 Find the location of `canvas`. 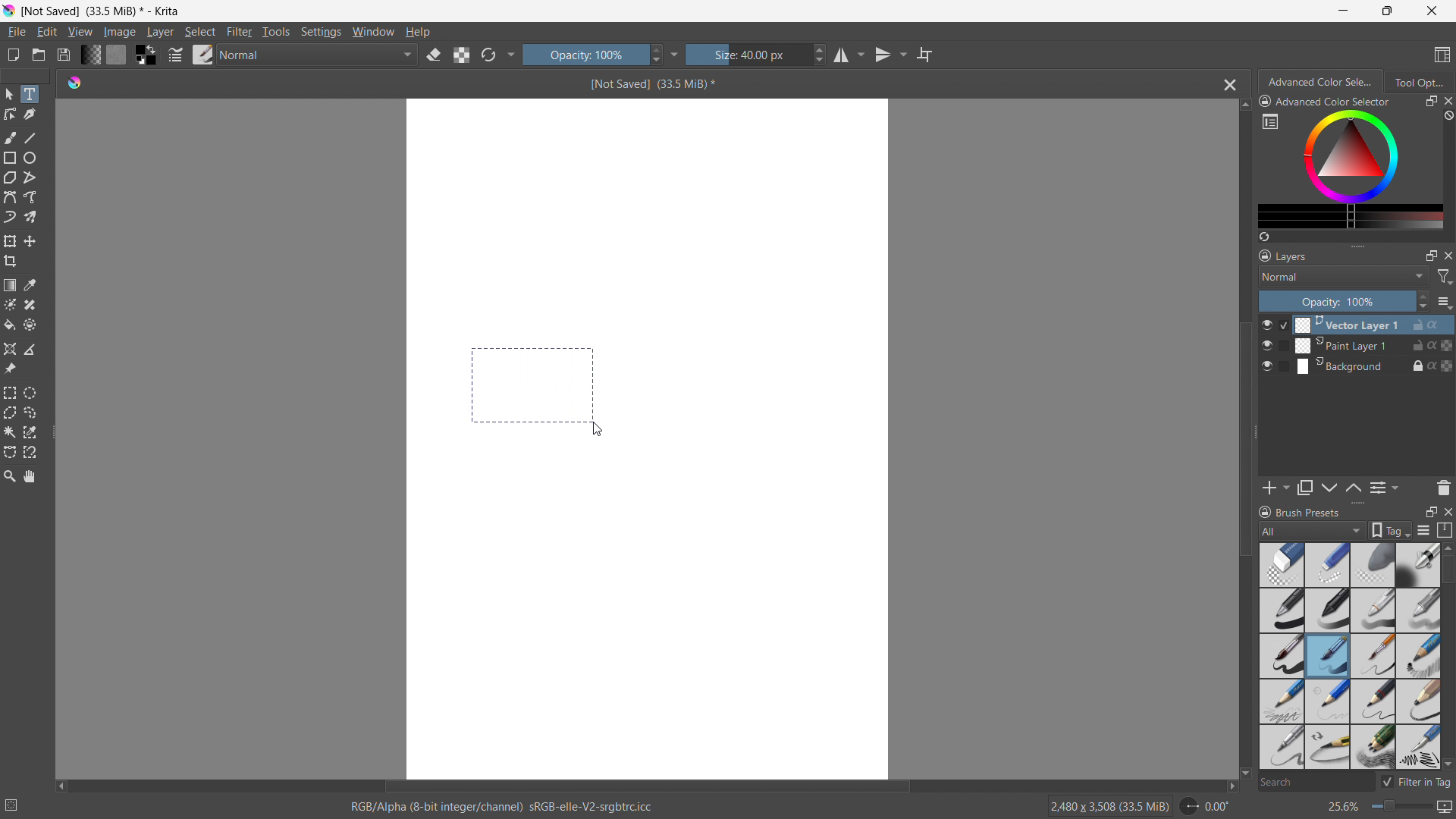

canvas is located at coordinates (648, 218).